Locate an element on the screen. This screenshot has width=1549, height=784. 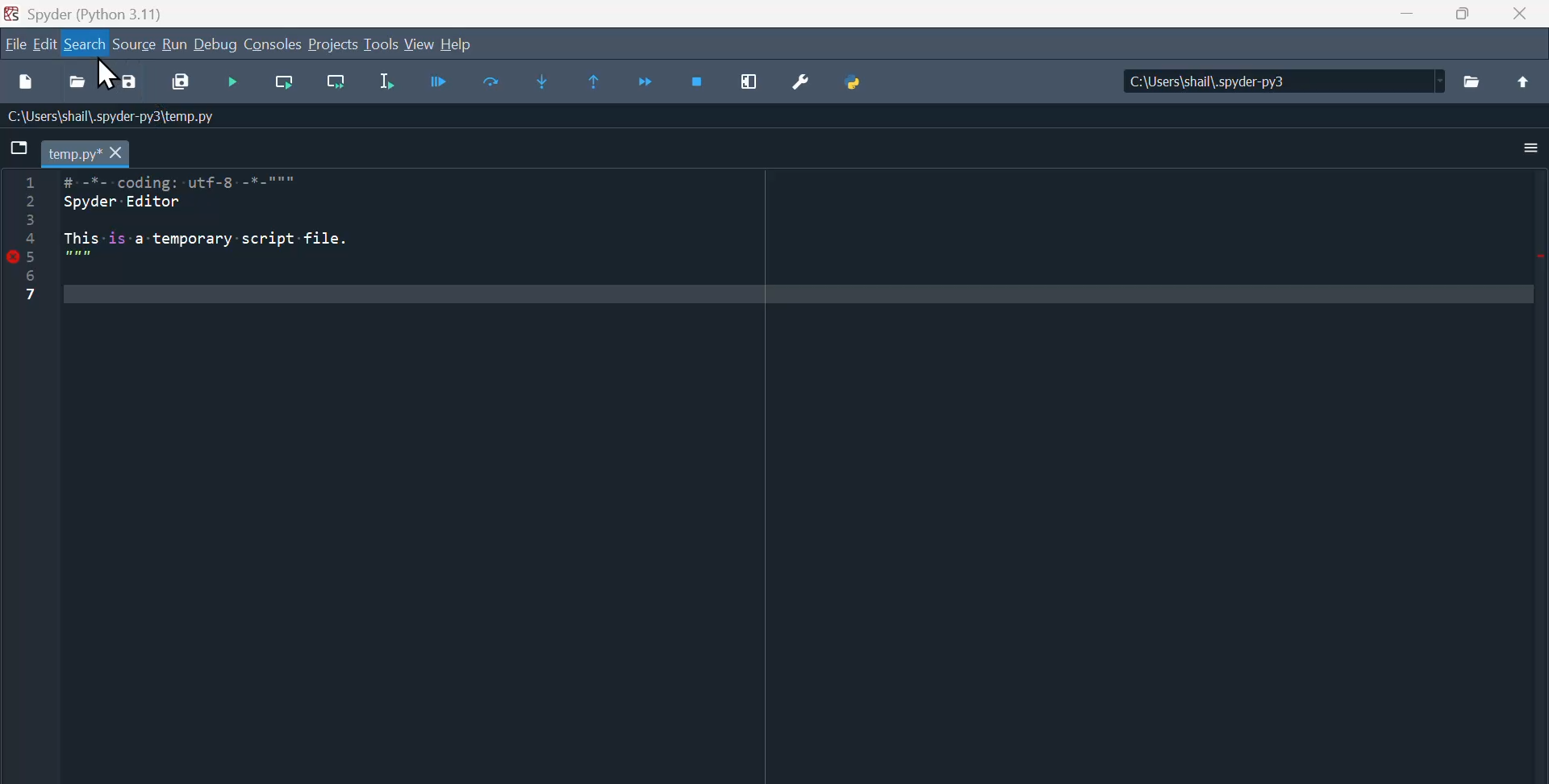
More options is located at coordinates (1528, 149).